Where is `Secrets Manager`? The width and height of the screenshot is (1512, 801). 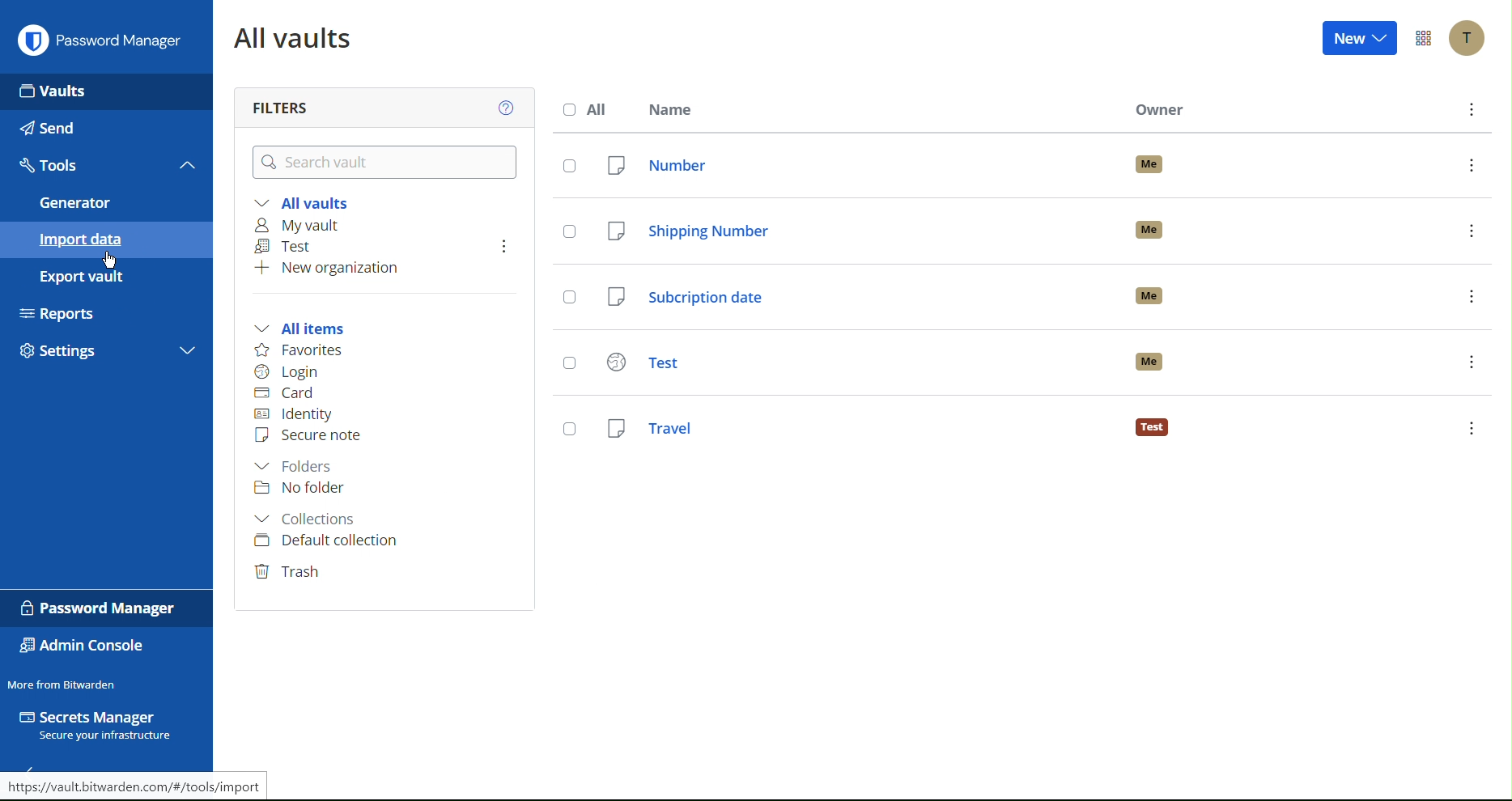 Secrets Manager is located at coordinates (99, 727).